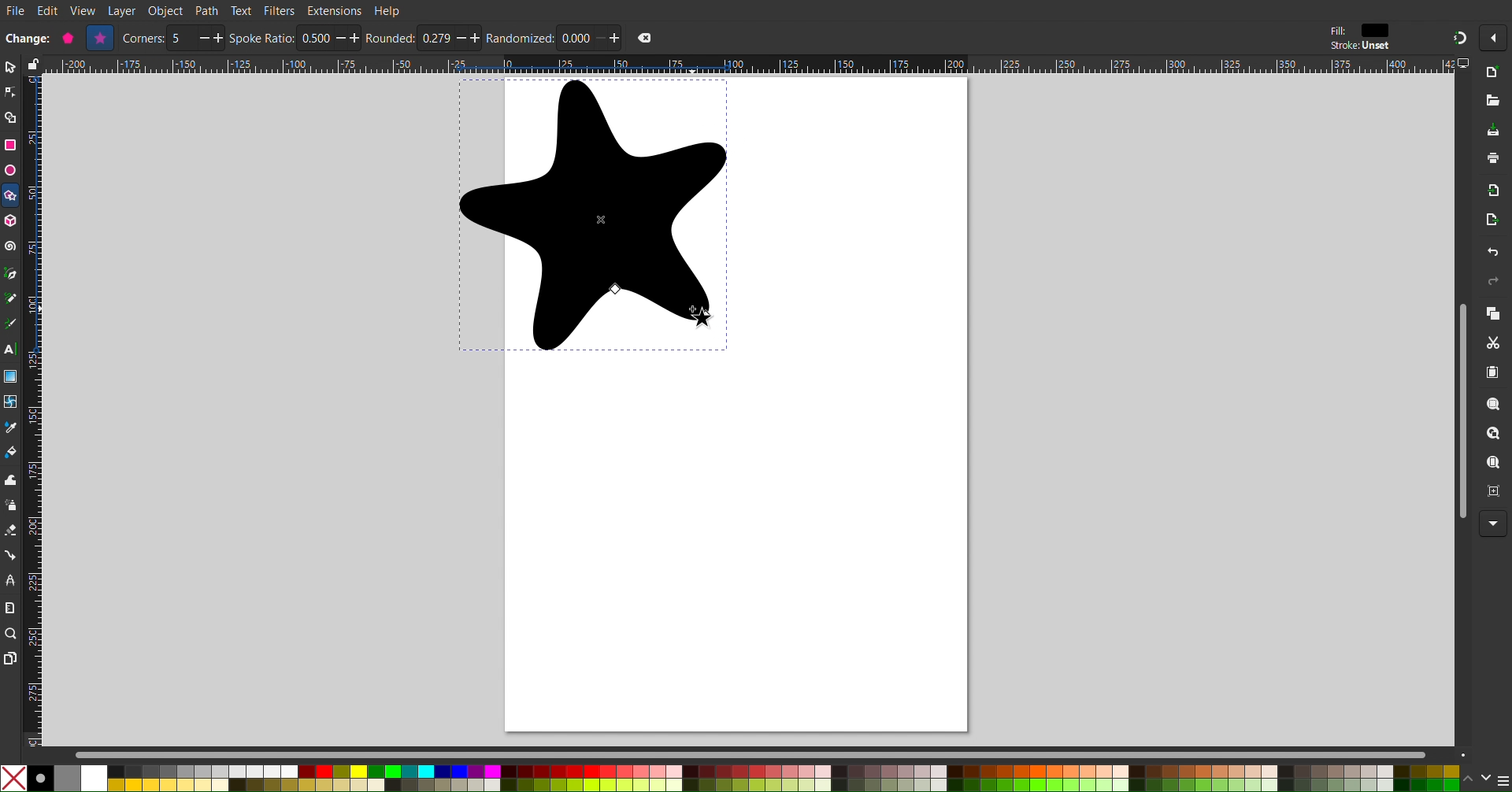 This screenshot has width=1512, height=792. I want to click on Fill Color, so click(11, 455).